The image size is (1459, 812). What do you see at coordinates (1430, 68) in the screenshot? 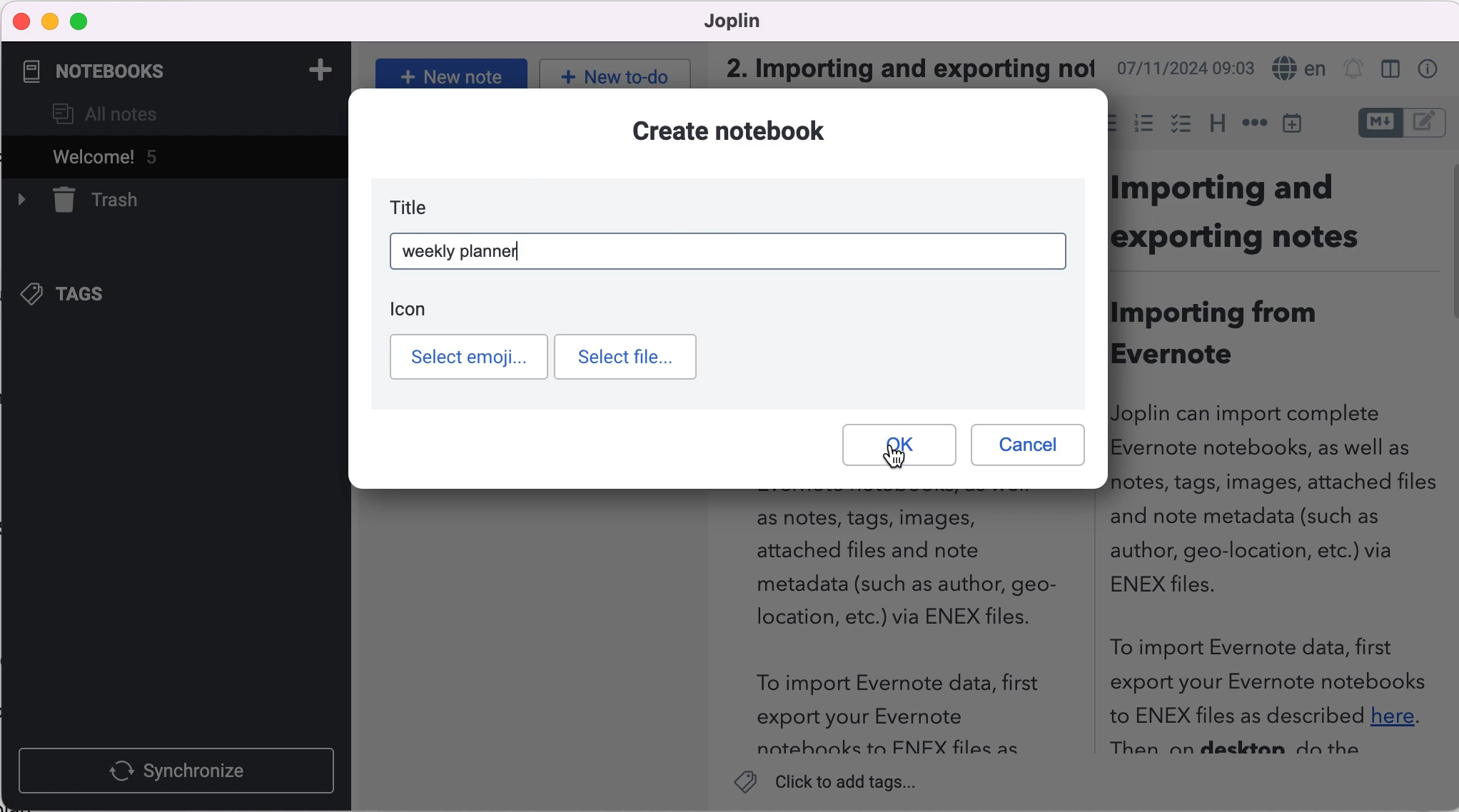
I see `properties note` at bounding box center [1430, 68].